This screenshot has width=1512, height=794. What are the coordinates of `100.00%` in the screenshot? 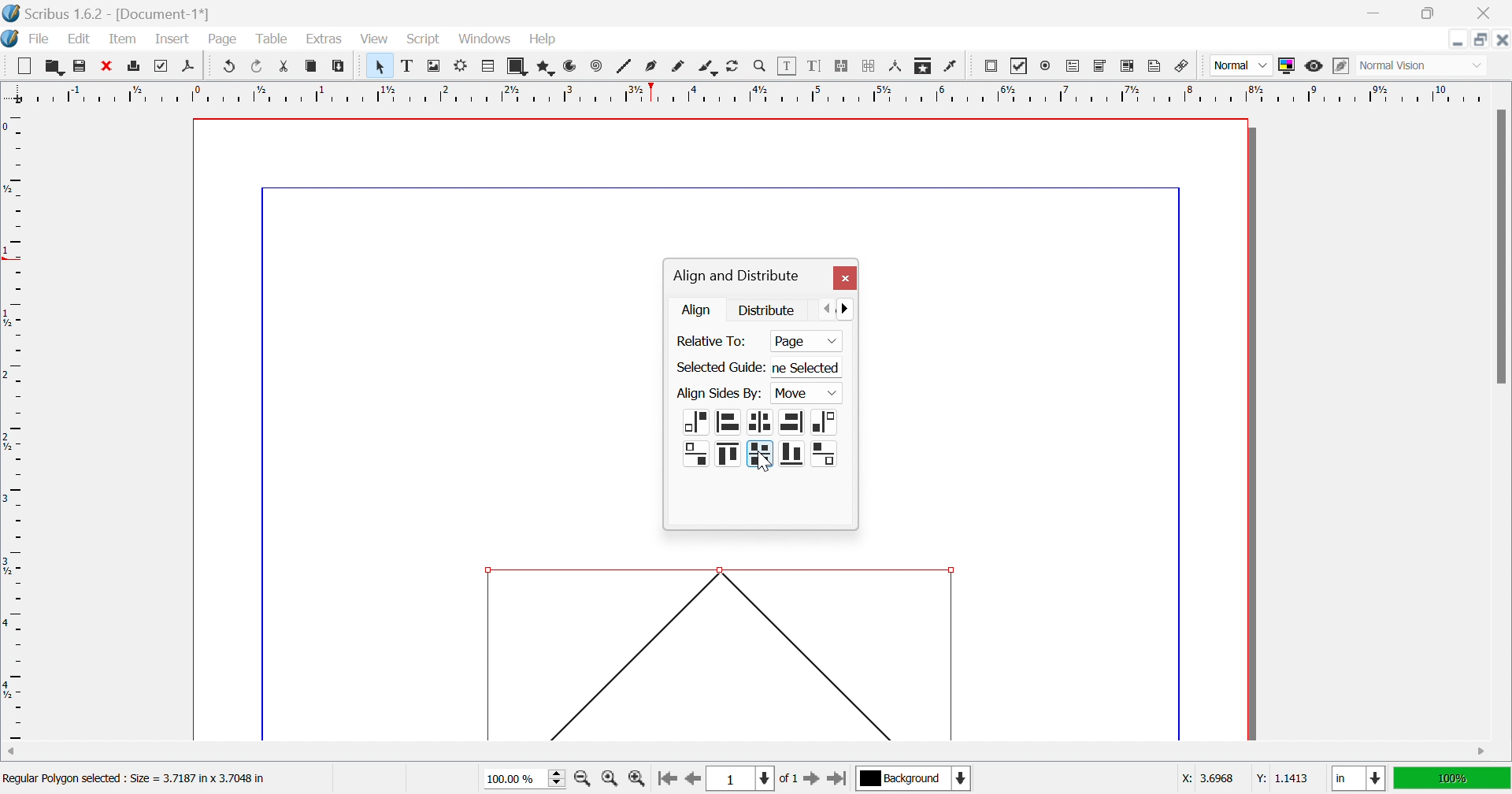 It's located at (527, 779).